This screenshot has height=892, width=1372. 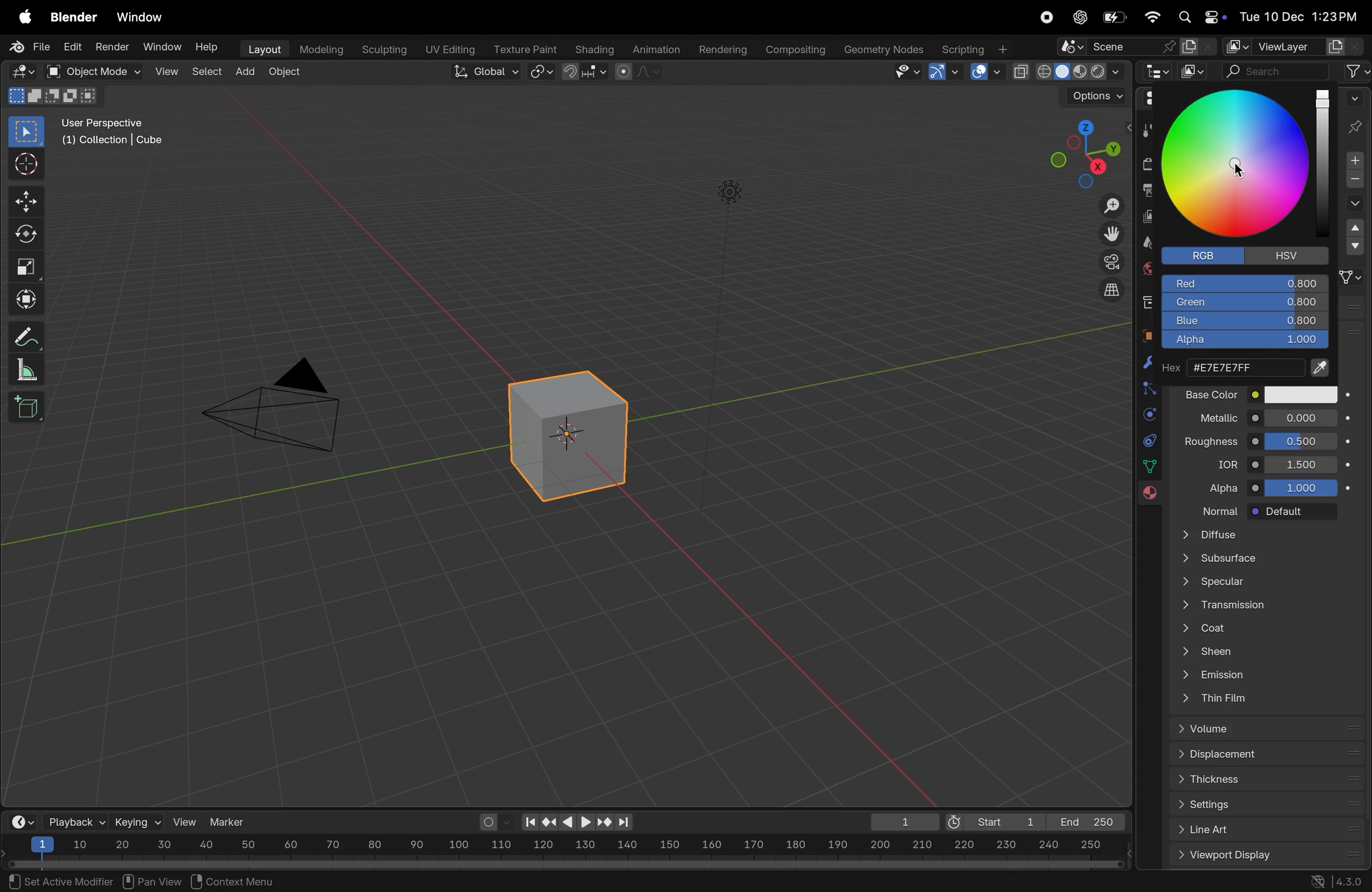 I want to click on time, so click(x=20, y=821).